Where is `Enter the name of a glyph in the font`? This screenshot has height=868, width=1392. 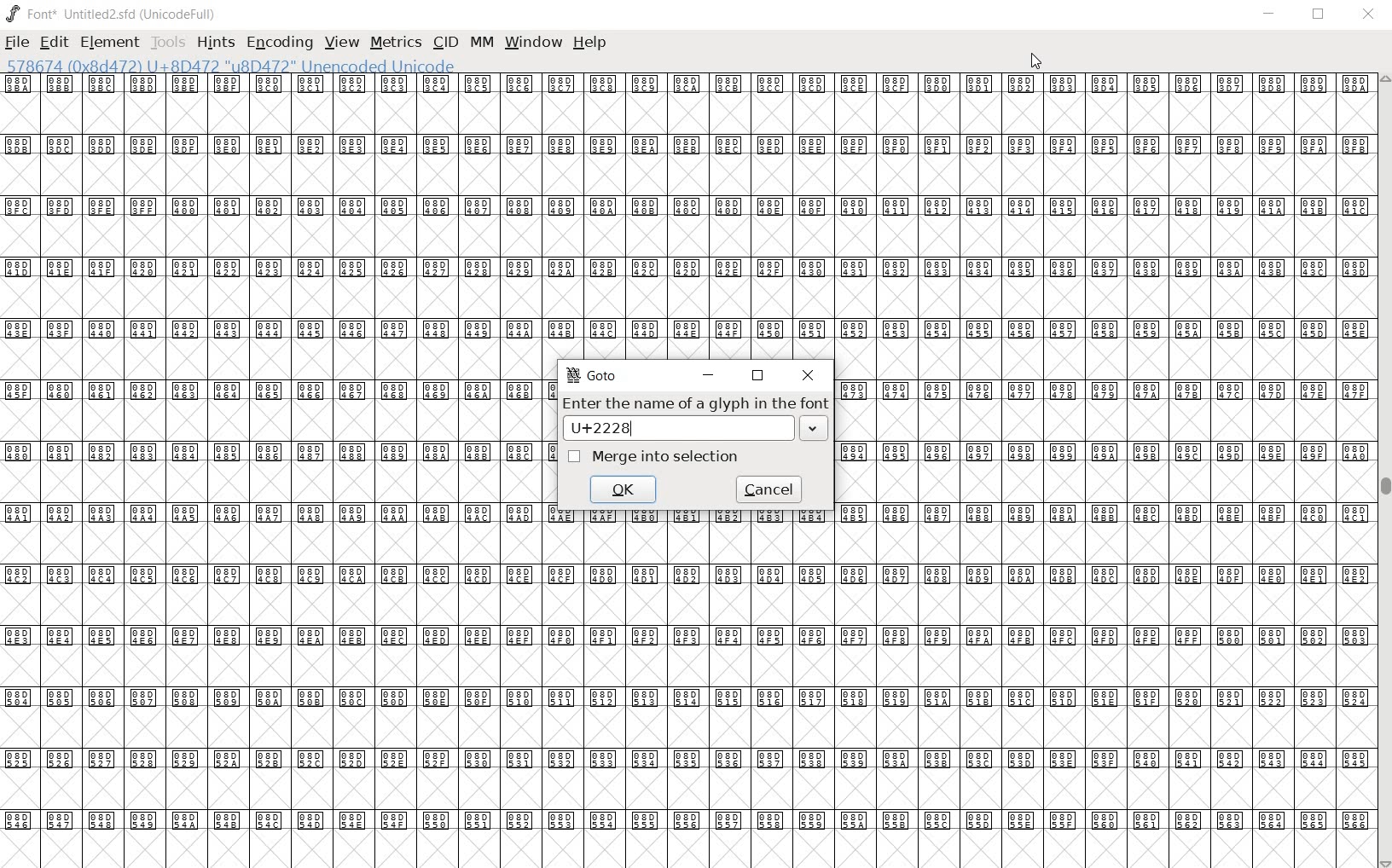 Enter the name of a glyph in the font is located at coordinates (692, 405).